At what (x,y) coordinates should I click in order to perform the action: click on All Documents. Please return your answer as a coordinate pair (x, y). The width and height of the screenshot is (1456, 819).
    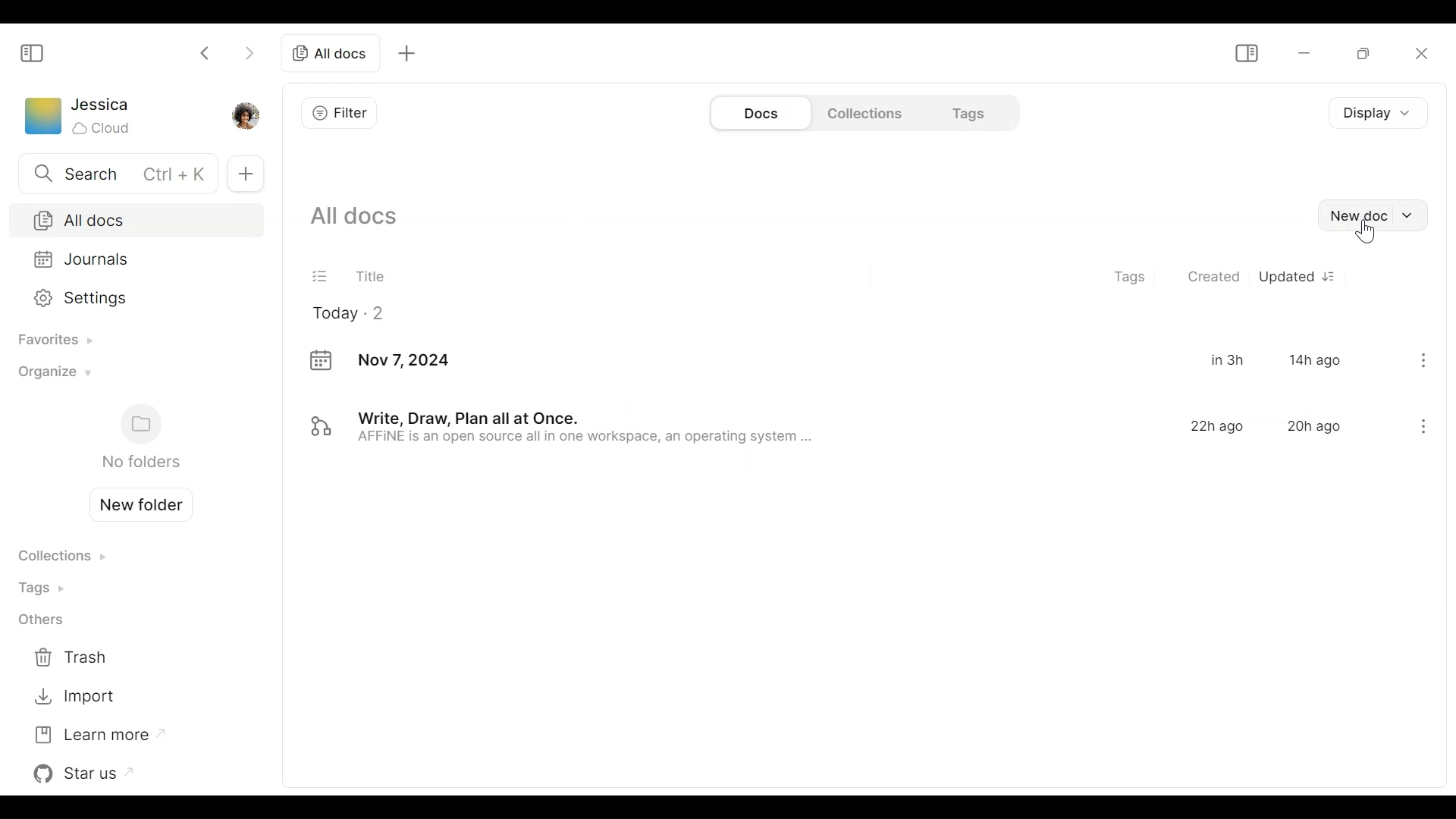
    Looking at the image, I should click on (130, 219).